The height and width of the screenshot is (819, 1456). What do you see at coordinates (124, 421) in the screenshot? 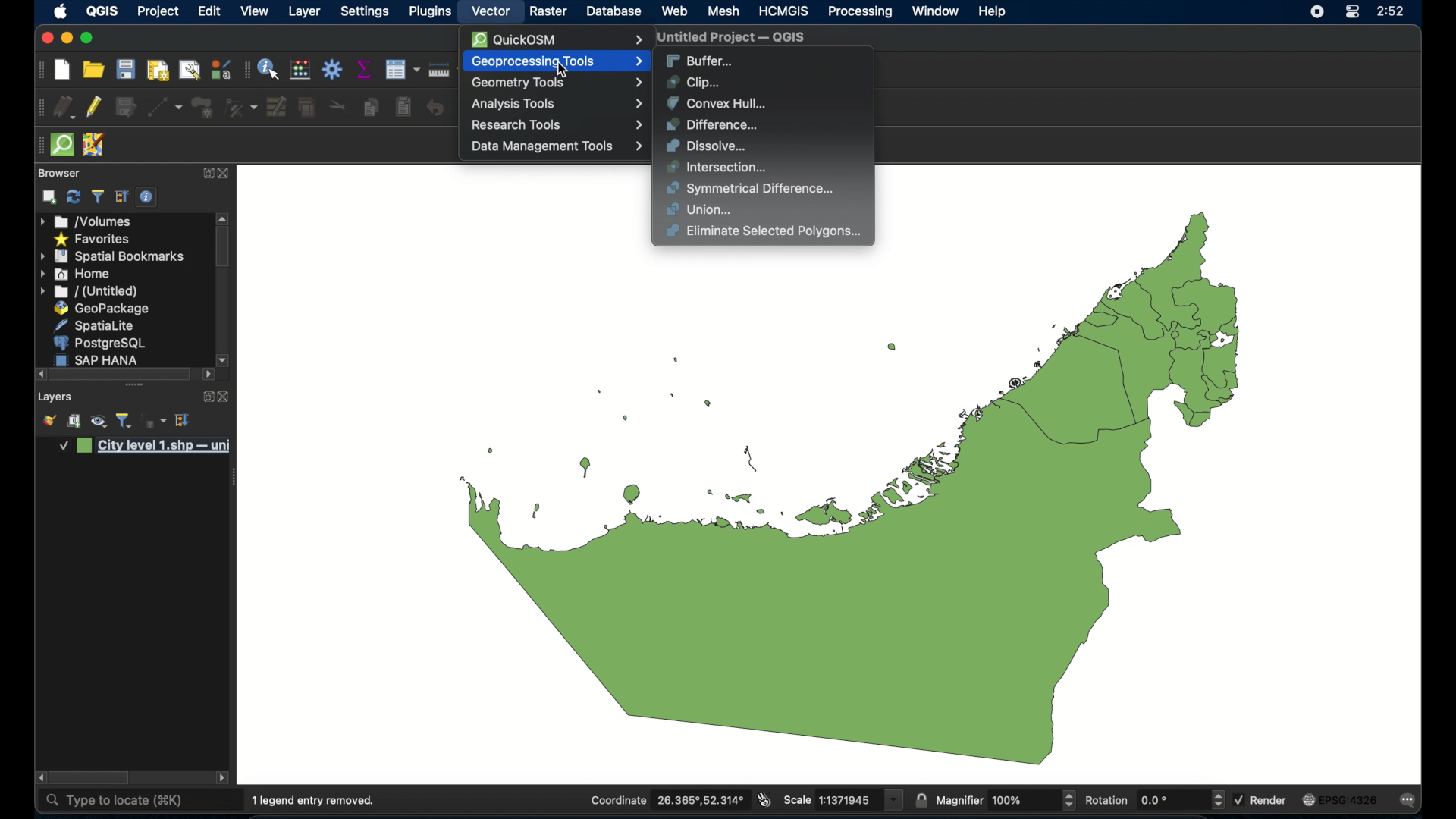
I see `filter legend` at bounding box center [124, 421].